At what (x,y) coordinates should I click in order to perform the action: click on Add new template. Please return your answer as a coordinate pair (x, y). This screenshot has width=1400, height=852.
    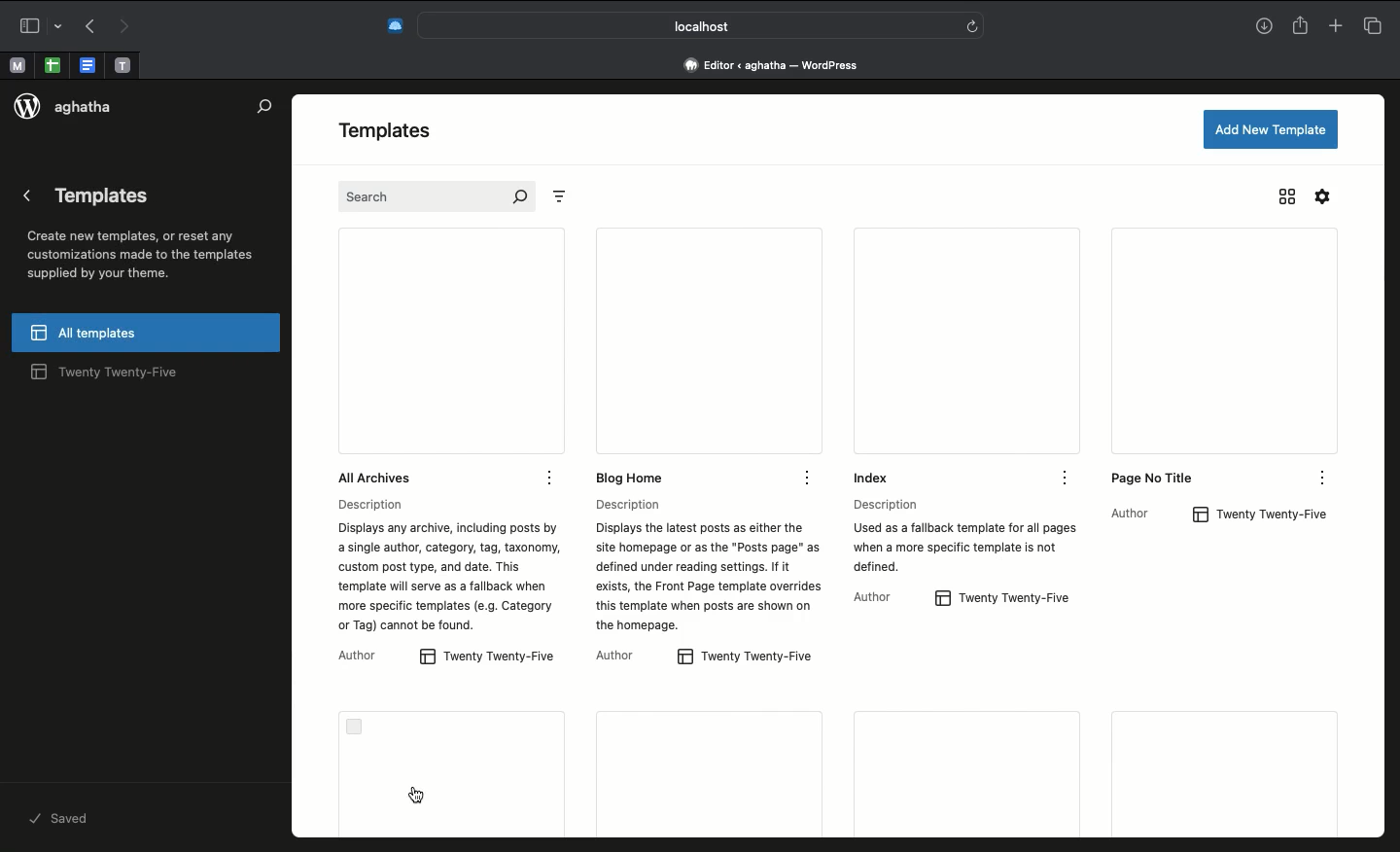
    Looking at the image, I should click on (1270, 128).